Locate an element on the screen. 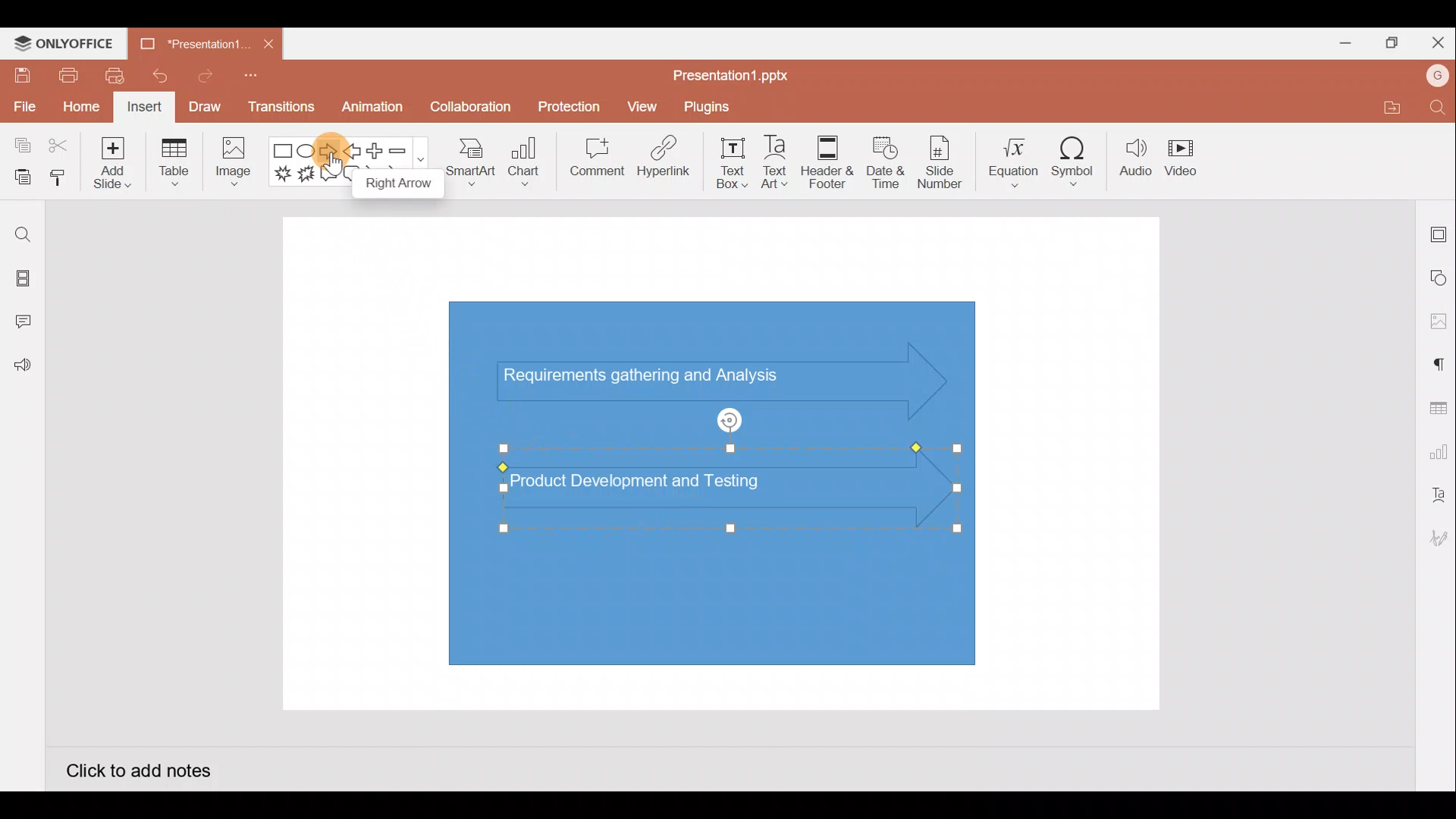 The width and height of the screenshot is (1456, 819). Explosion 1 is located at coordinates (283, 173).